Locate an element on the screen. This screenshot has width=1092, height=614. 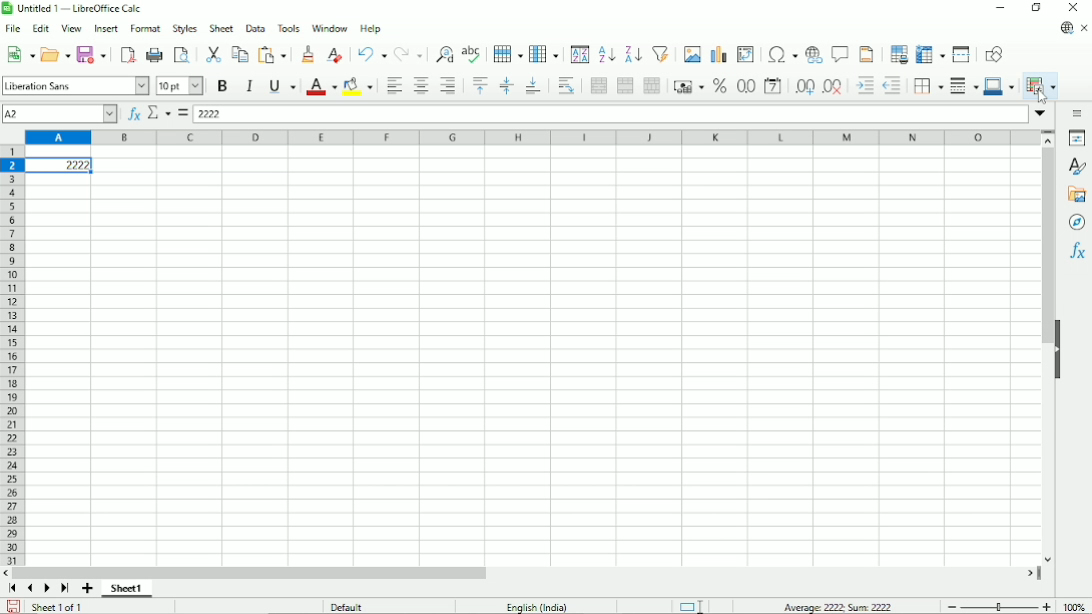
Clear direct formatting is located at coordinates (334, 55).